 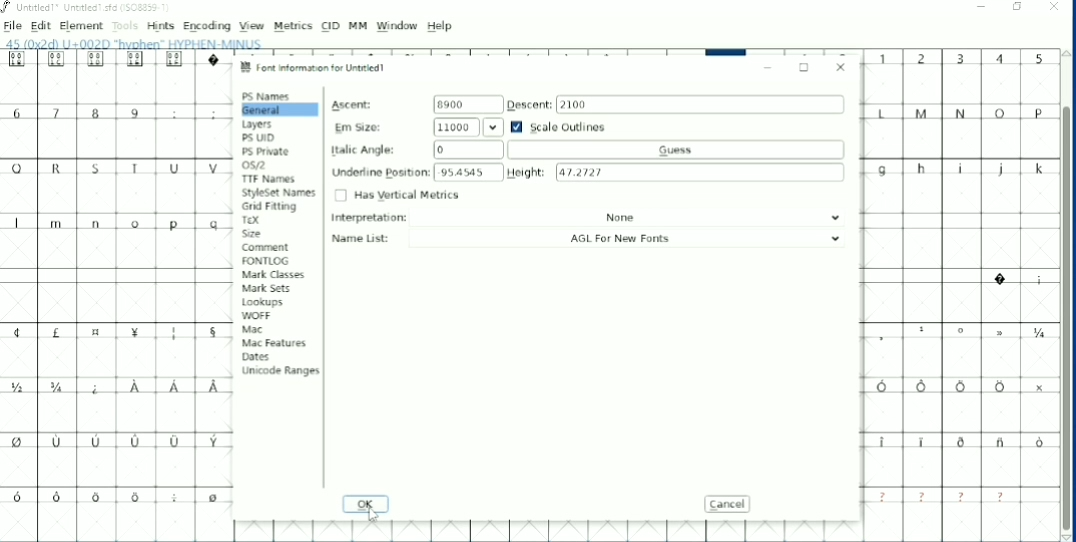 What do you see at coordinates (375, 516) in the screenshot?
I see `Cursor` at bounding box center [375, 516].